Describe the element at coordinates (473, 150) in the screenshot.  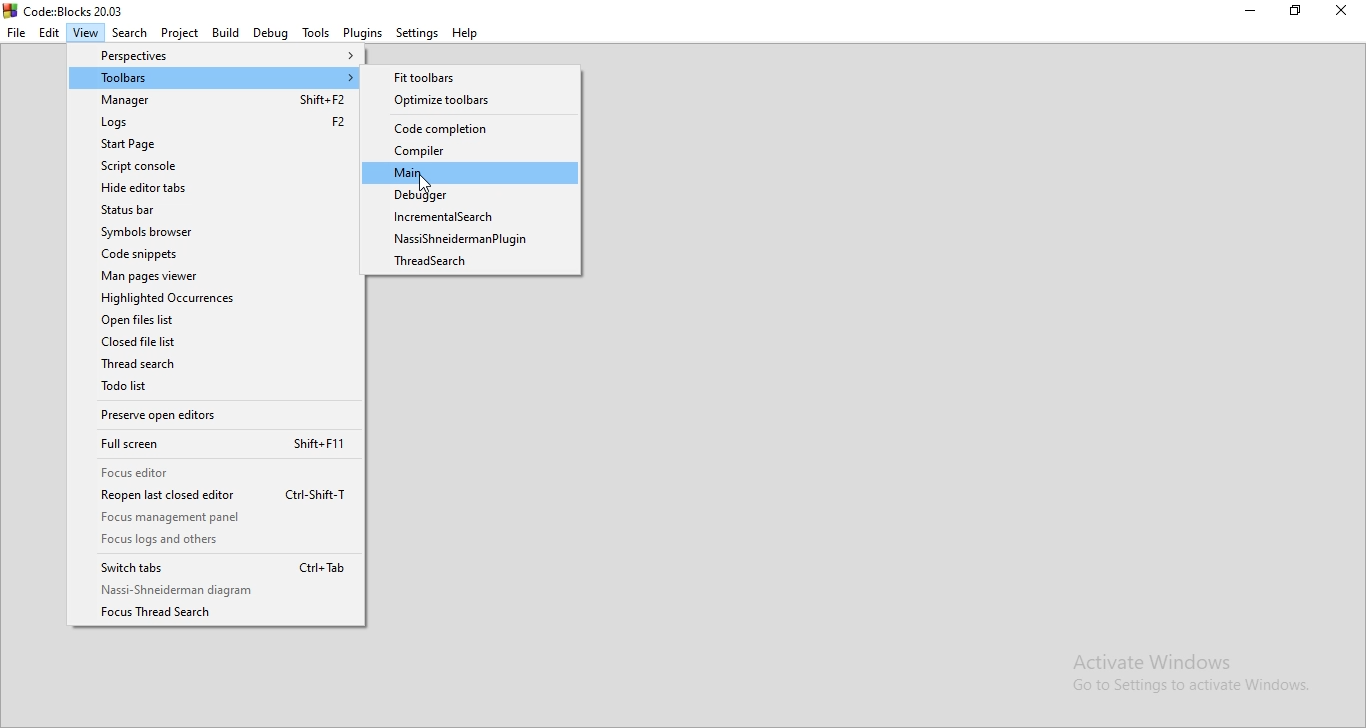
I see `Compiler` at that location.